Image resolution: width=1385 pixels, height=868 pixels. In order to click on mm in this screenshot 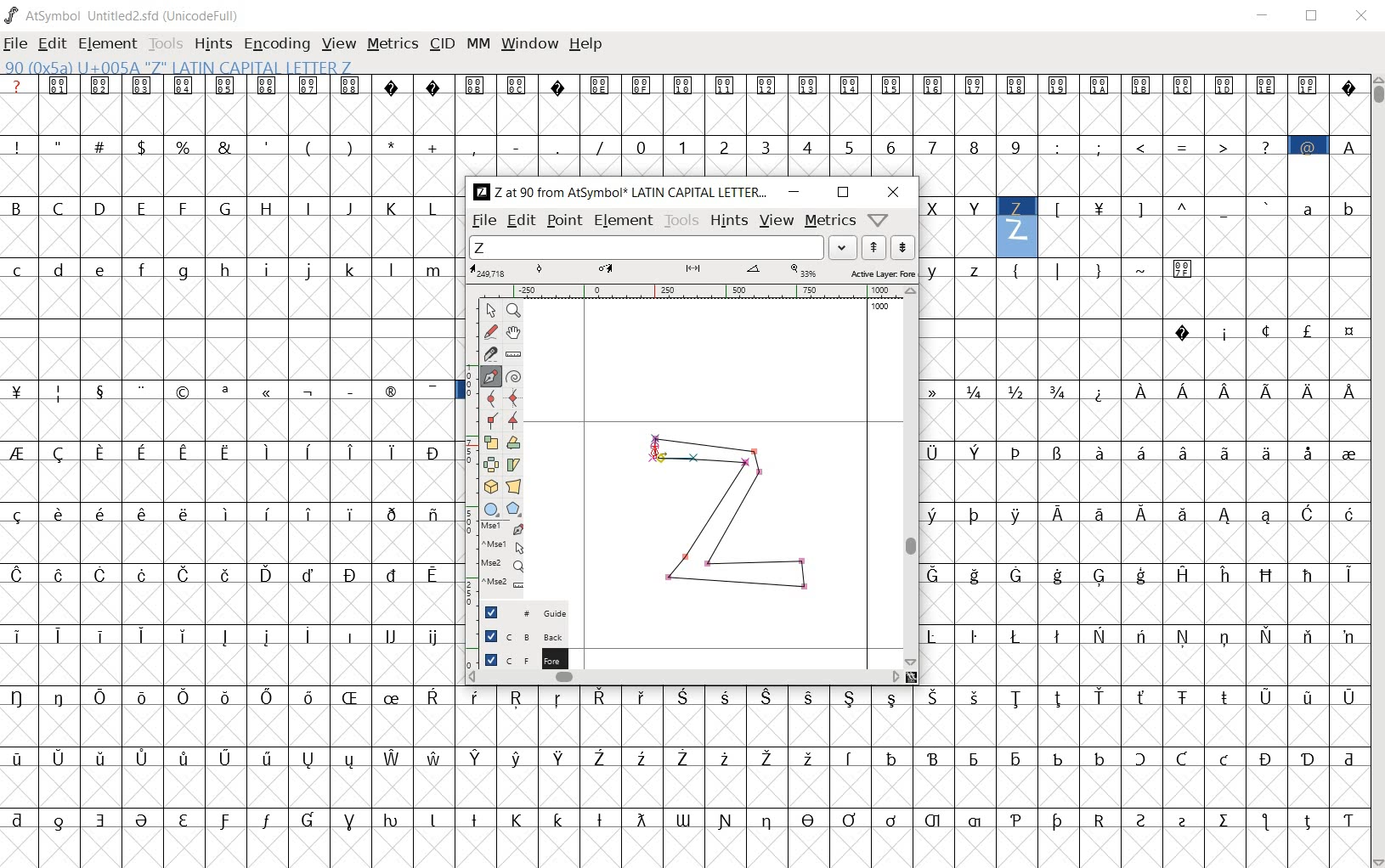, I will do `click(478, 43)`.